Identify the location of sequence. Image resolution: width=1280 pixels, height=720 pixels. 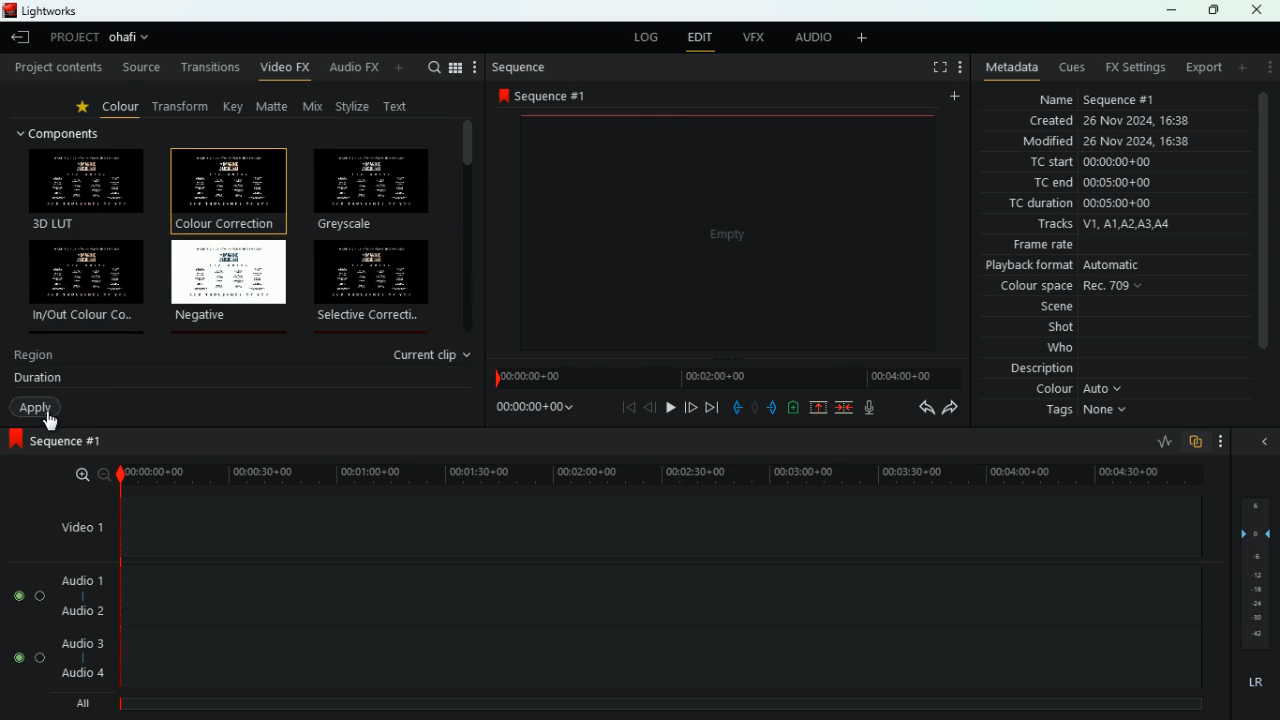
(75, 441).